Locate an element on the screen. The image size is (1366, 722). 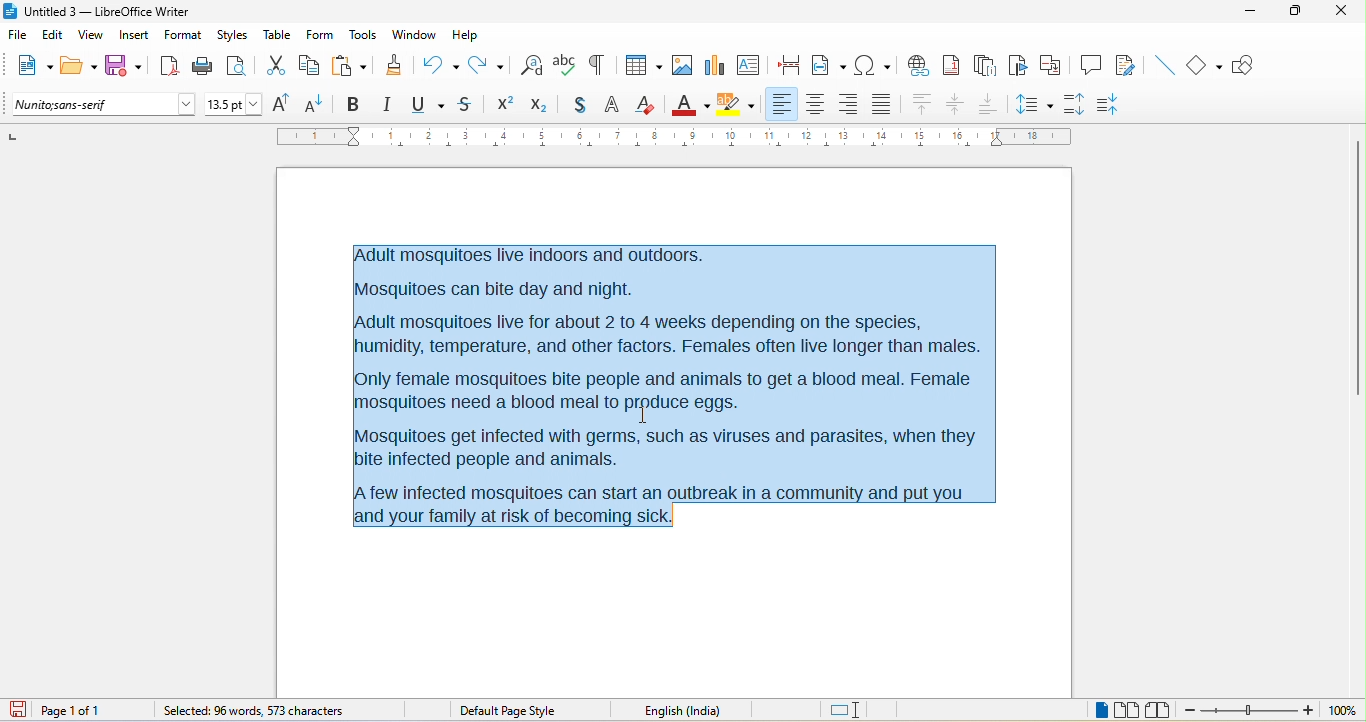
end note is located at coordinates (984, 65).